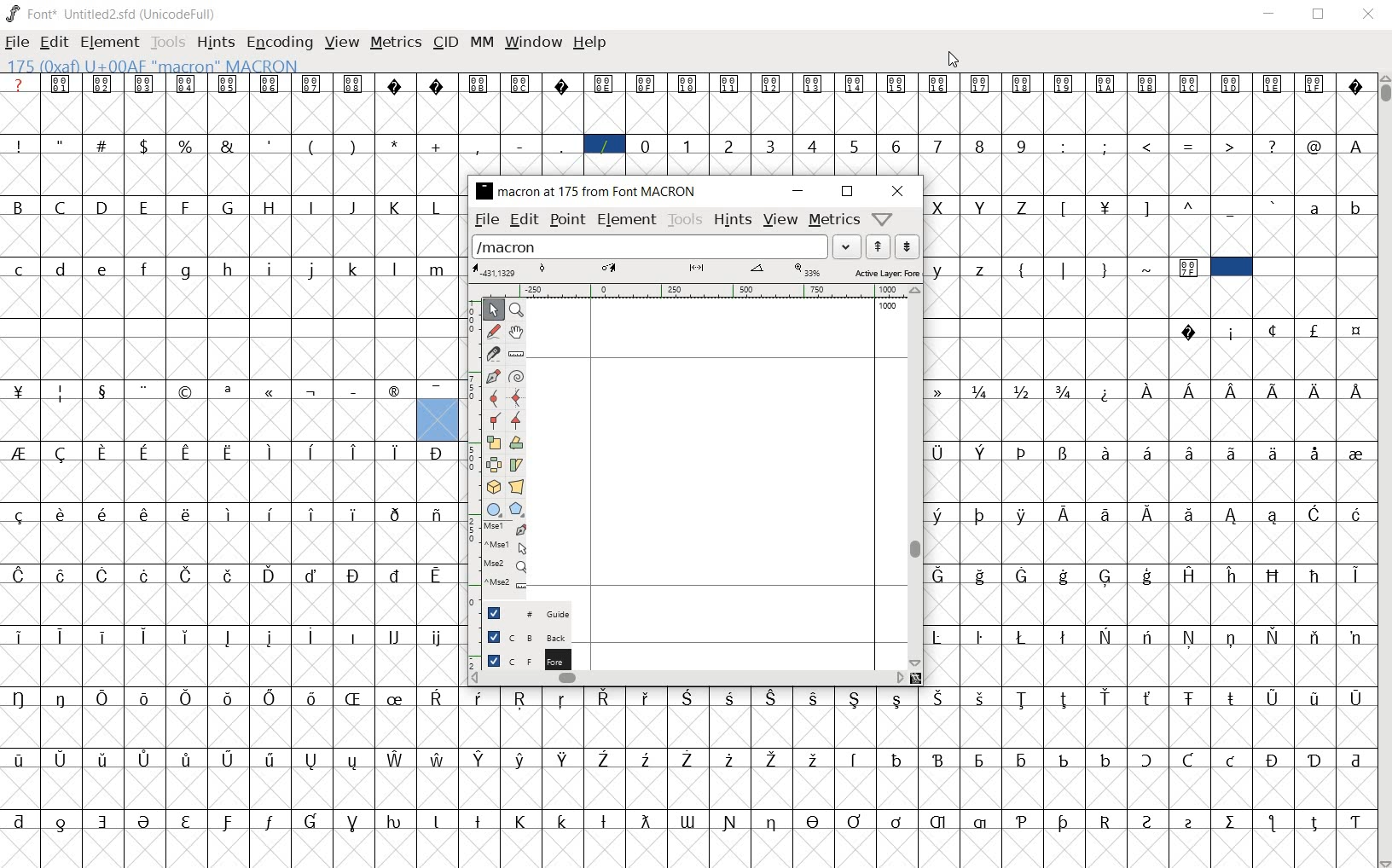 The width and height of the screenshot is (1392, 868). Describe the element at coordinates (105, 391) in the screenshot. I see `Symbol` at that location.